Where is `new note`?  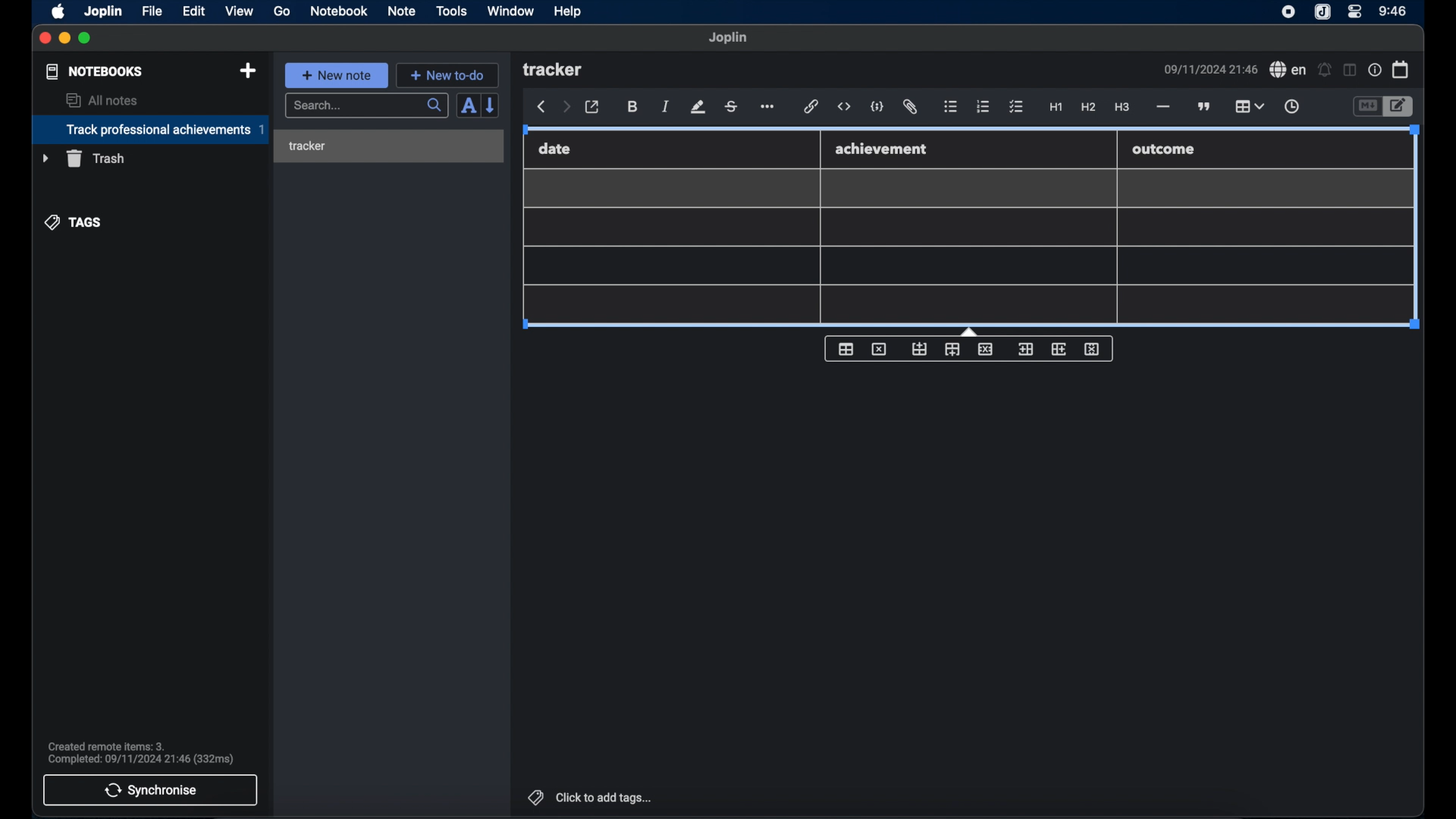
new note is located at coordinates (336, 74).